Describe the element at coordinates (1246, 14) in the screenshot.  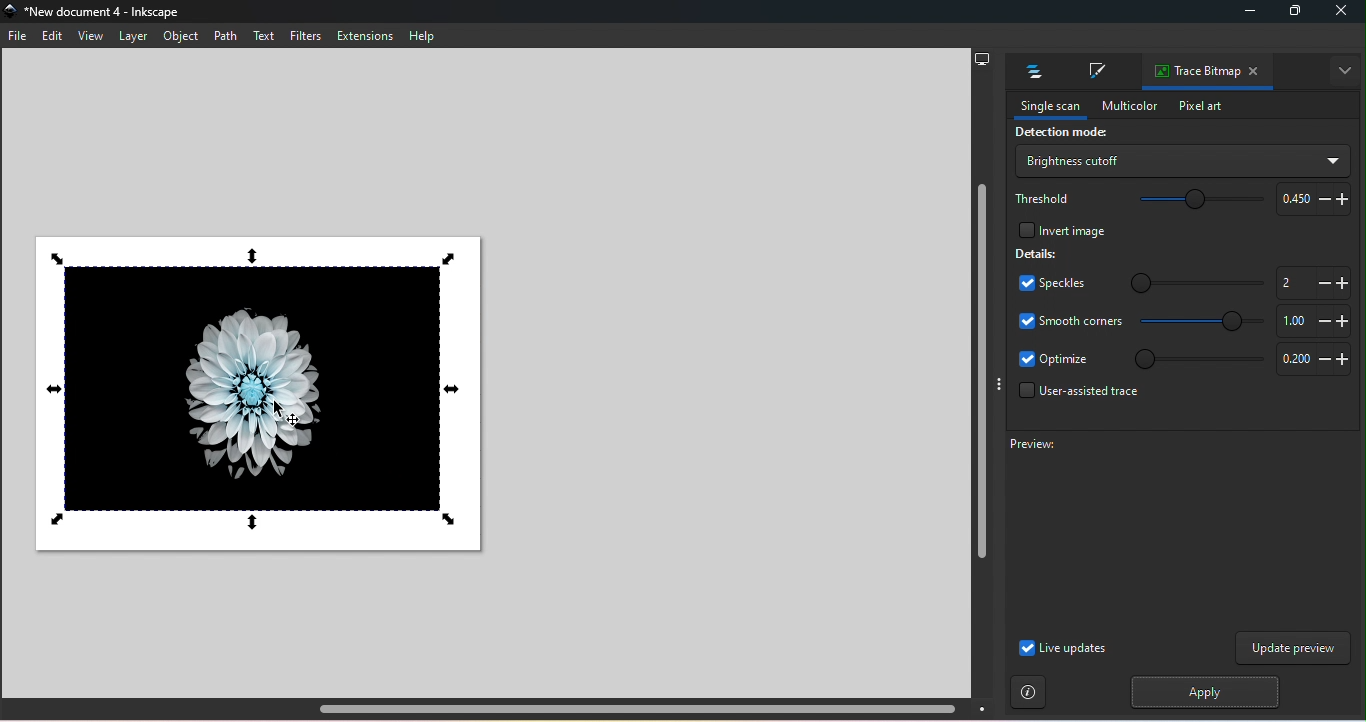
I see `Minimize` at that location.